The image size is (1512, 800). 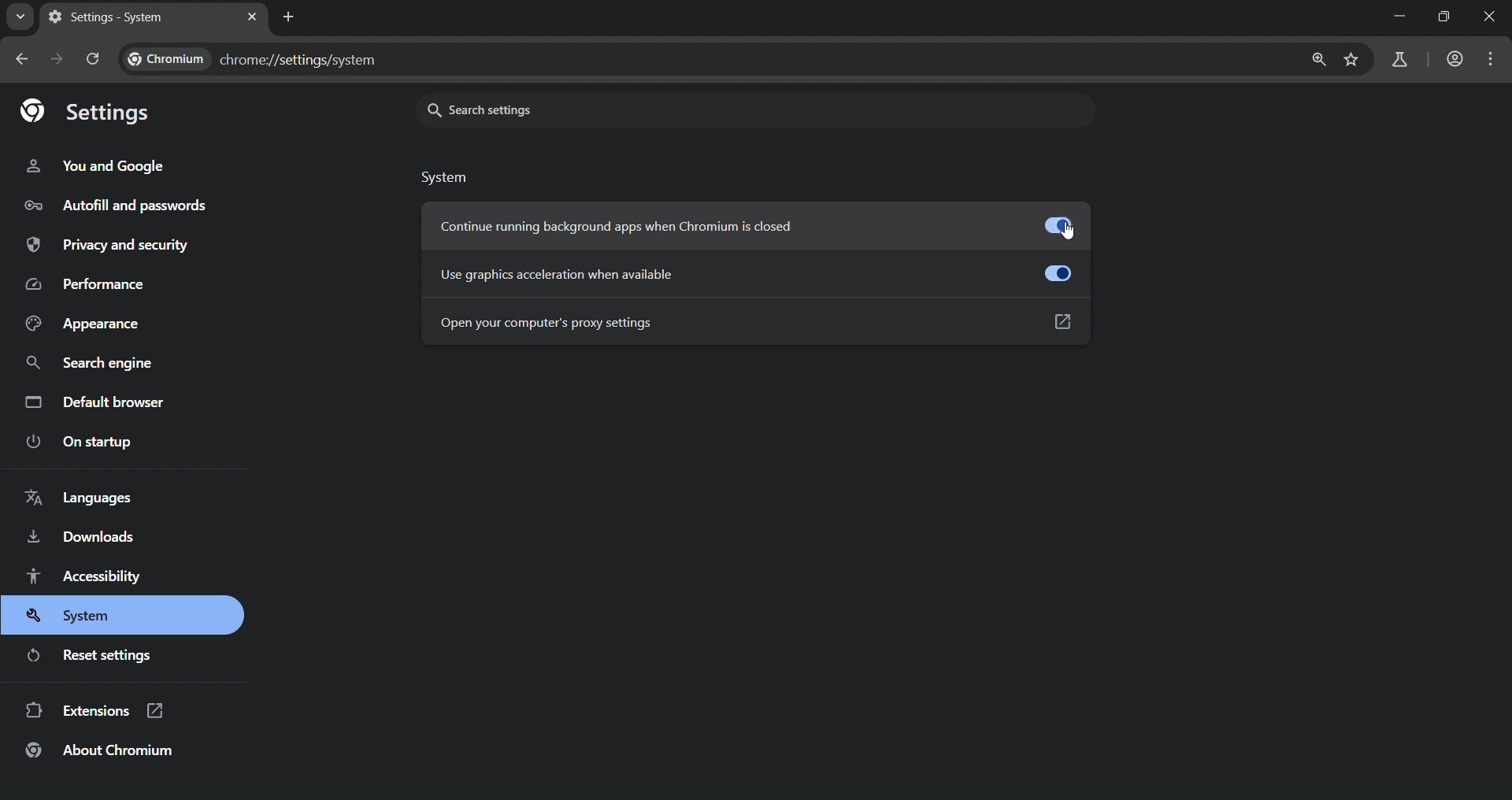 What do you see at coordinates (251, 57) in the screenshot?
I see `chrome://settings/system` at bounding box center [251, 57].